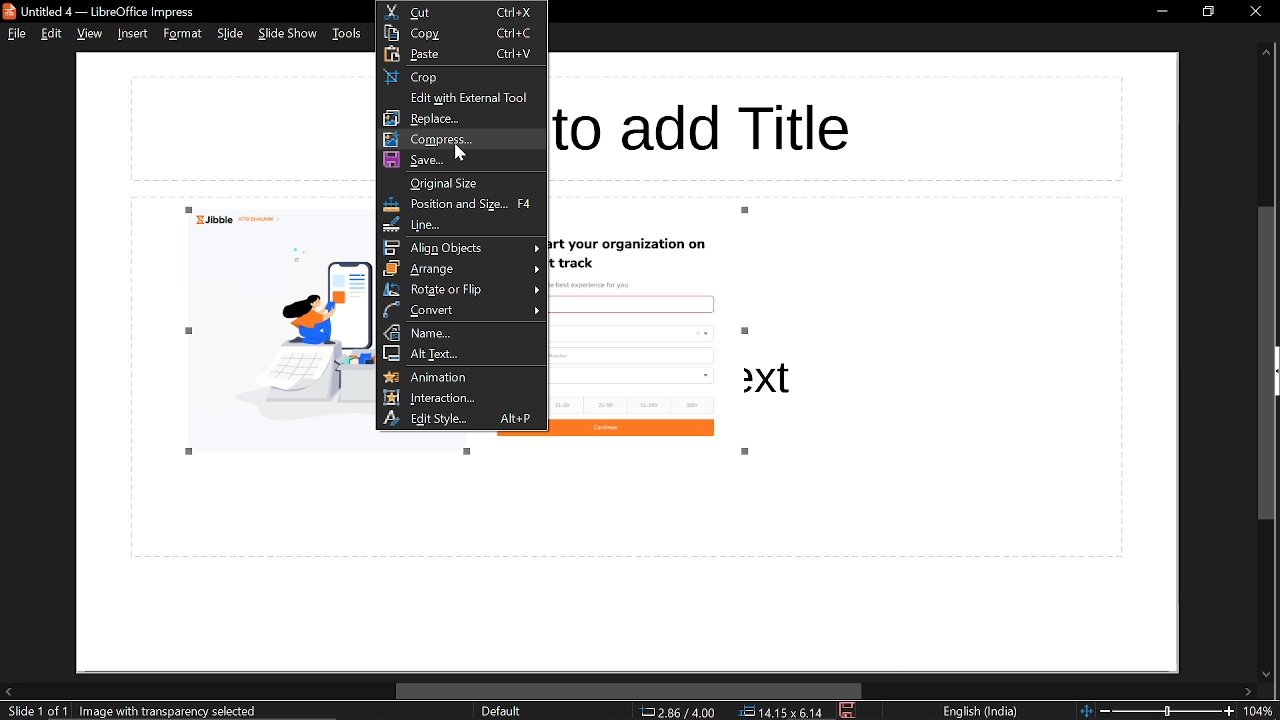  What do you see at coordinates (1162, 10) in the screenshot?
I see `minimize` at bounding box center [1162, 10].